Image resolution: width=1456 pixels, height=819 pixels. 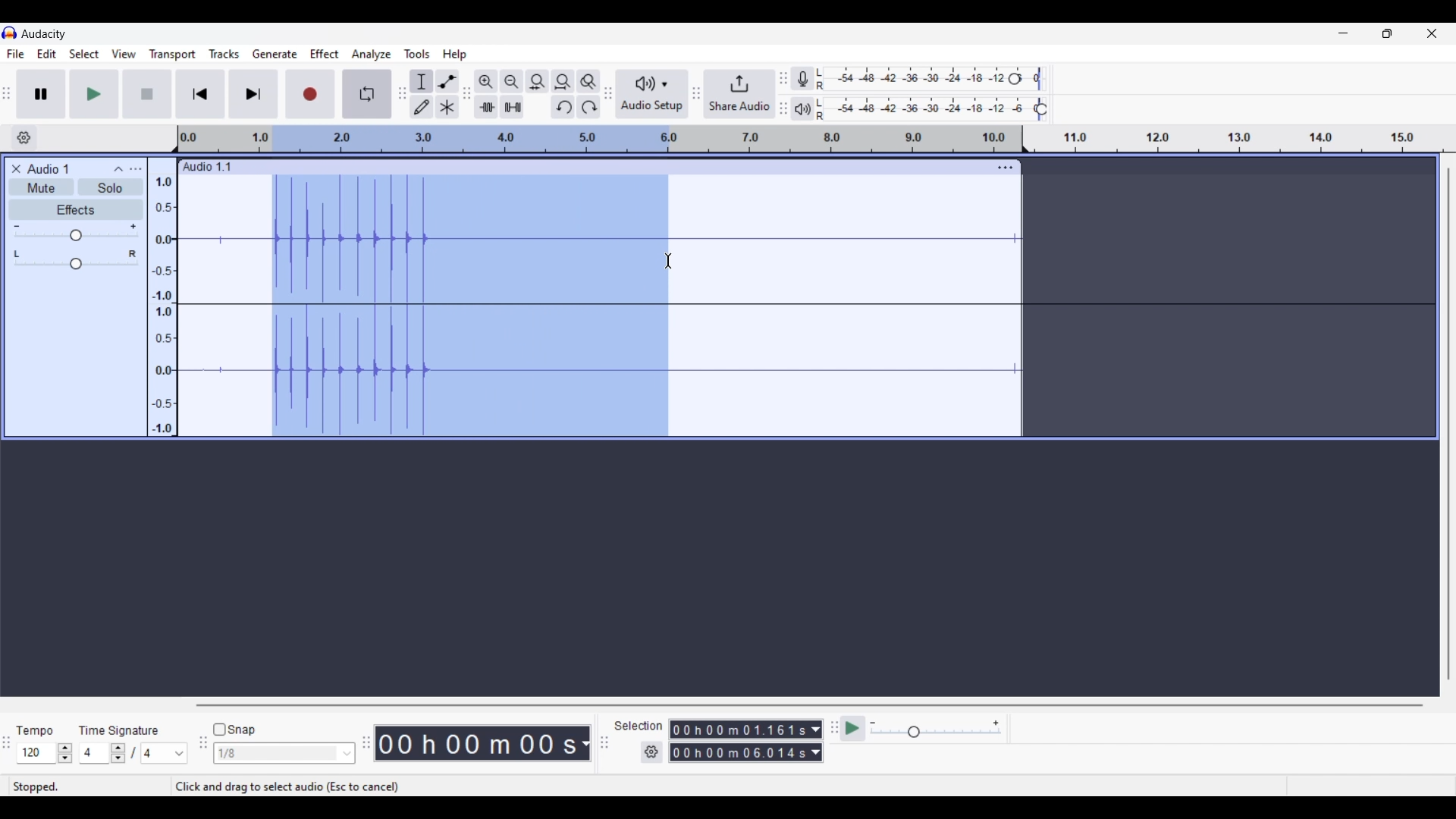 What do you see at coordinates (421, 106) in the screenshot?
I see `Draw tool` at bounding box center [421, 106].